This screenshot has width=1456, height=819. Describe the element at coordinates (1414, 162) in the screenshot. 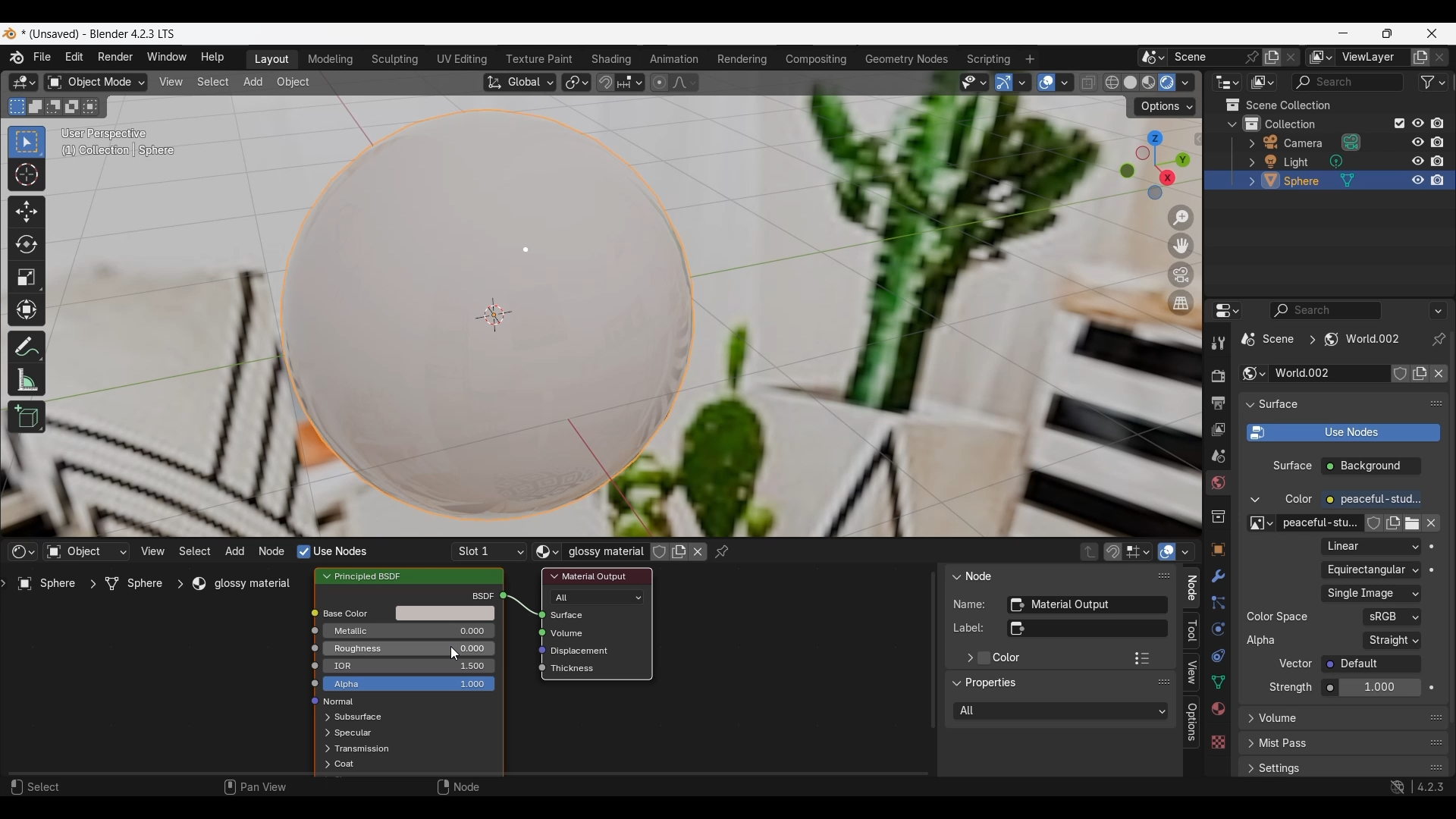

I see `respectively hide in viewport` at that location.